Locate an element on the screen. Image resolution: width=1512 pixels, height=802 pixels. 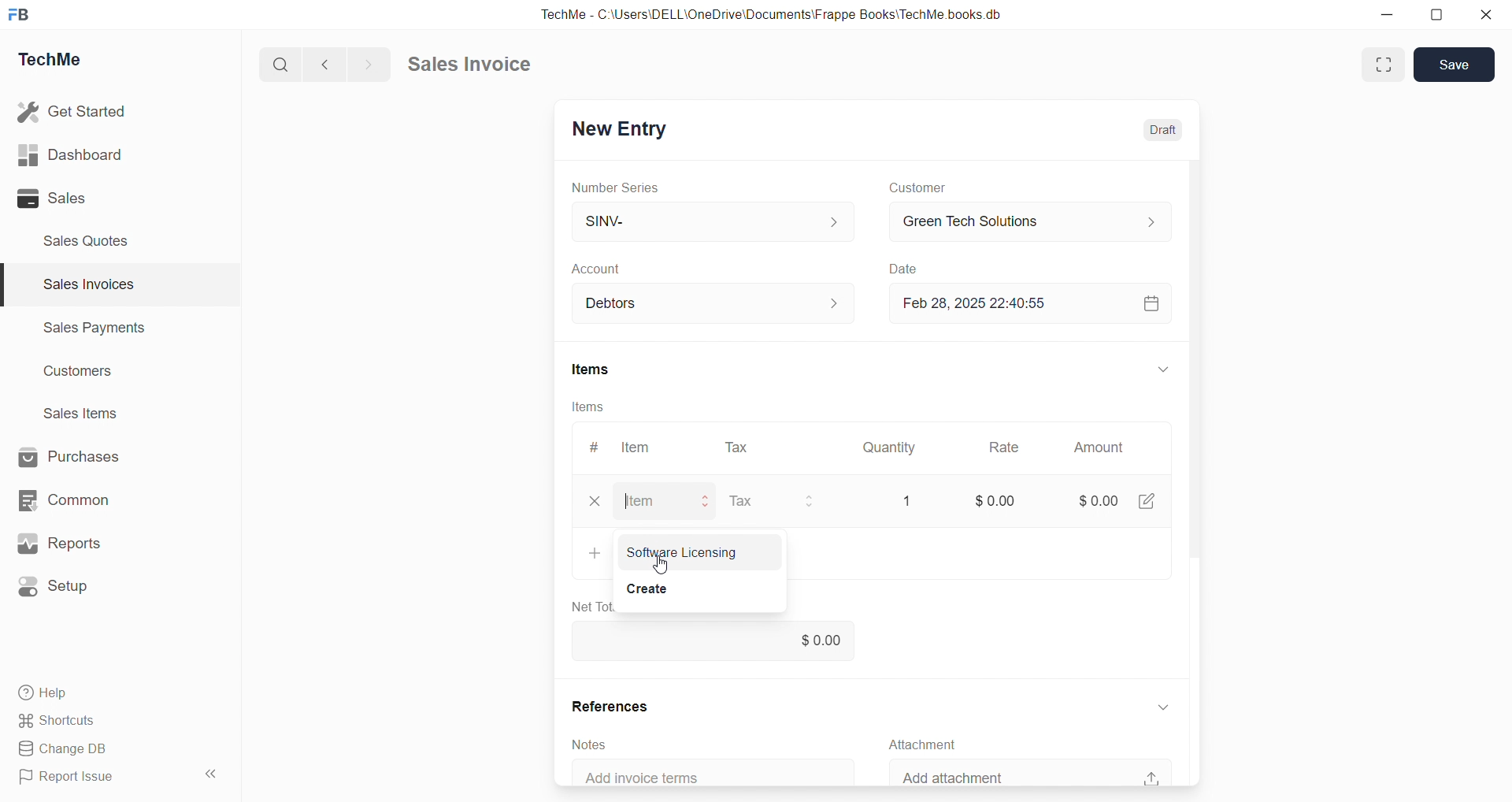
Add invoice terms is located at coordinates (650, 778).